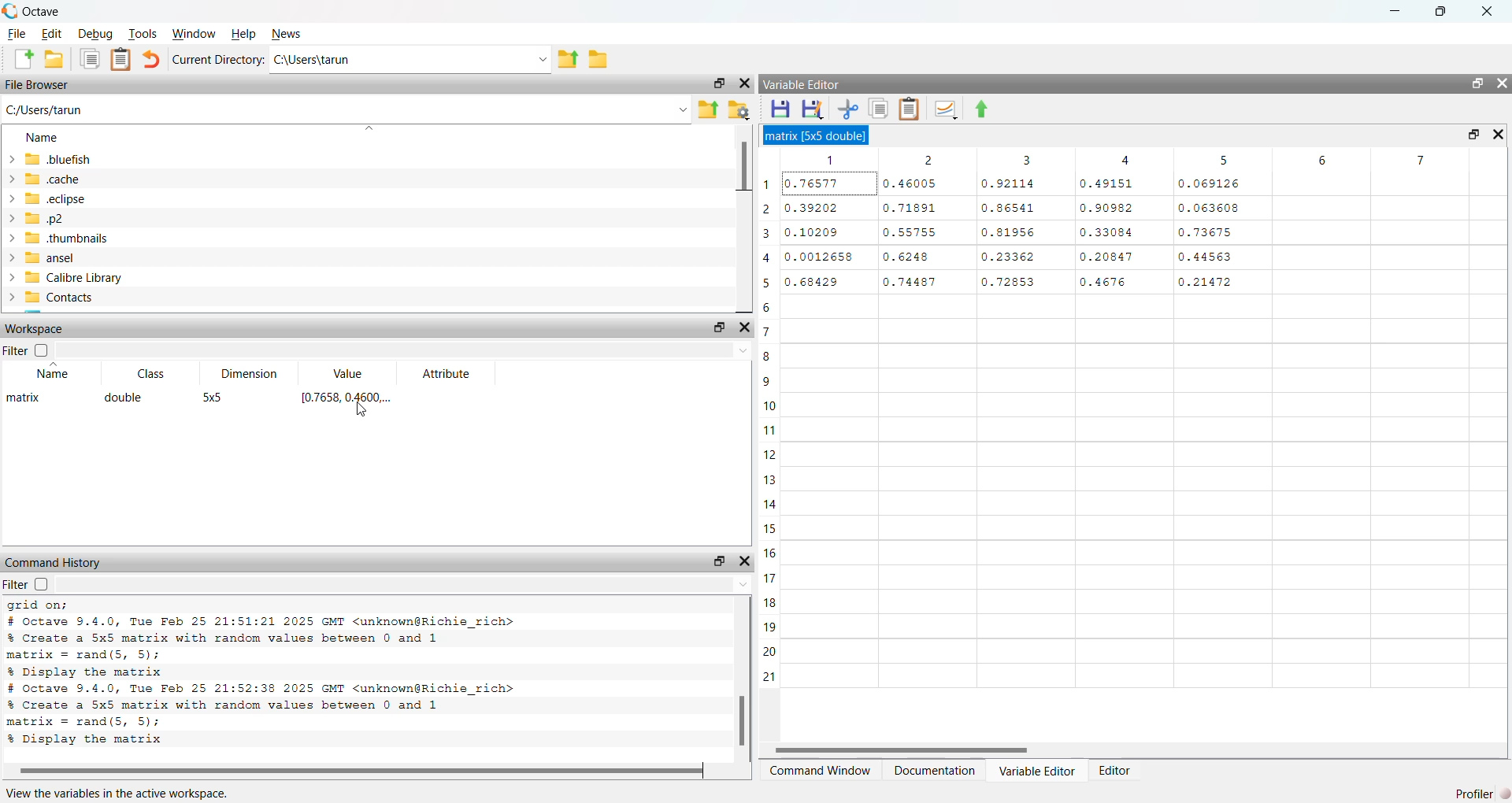 This screenshot has height=803, width=1512. What do you see at coordinates (52, 159) in the screenshot?
I see `bluefish` at bounding box center [52, 159].